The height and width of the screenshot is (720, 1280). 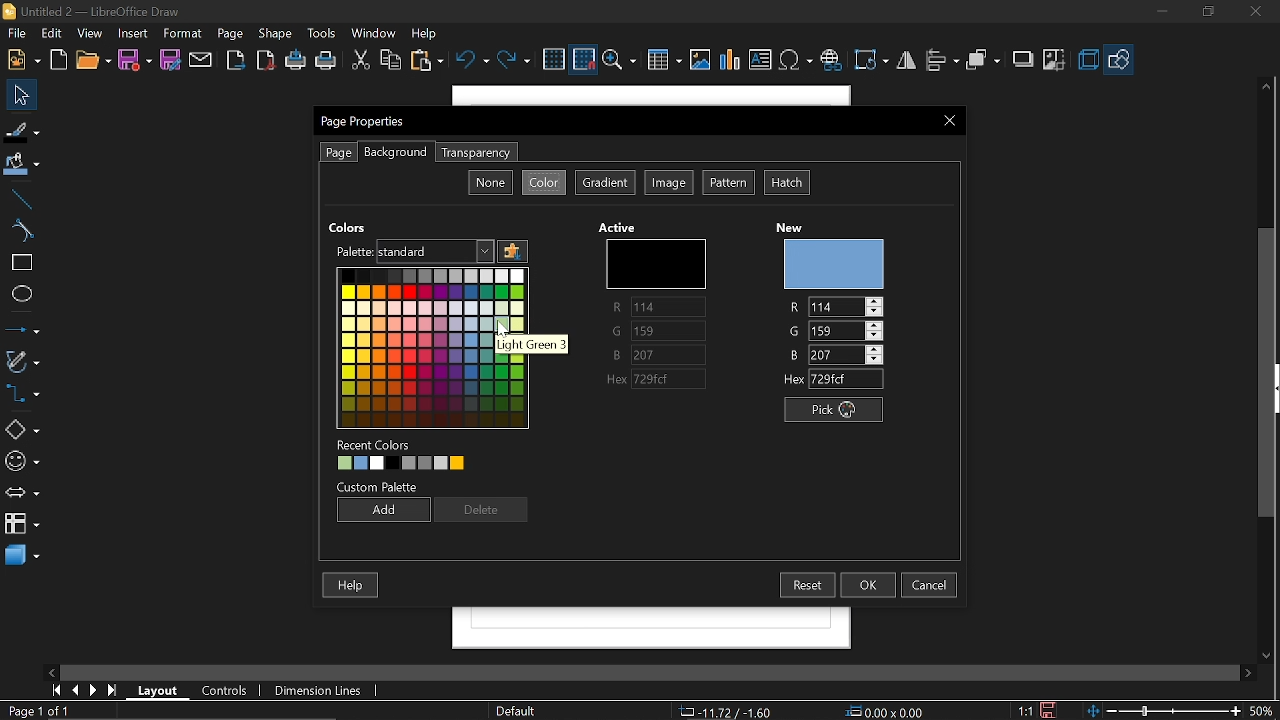 What do you see at coordinates (1269, 86) in the screenshot?
I see `Move up` at bounding box center [1269, 86].